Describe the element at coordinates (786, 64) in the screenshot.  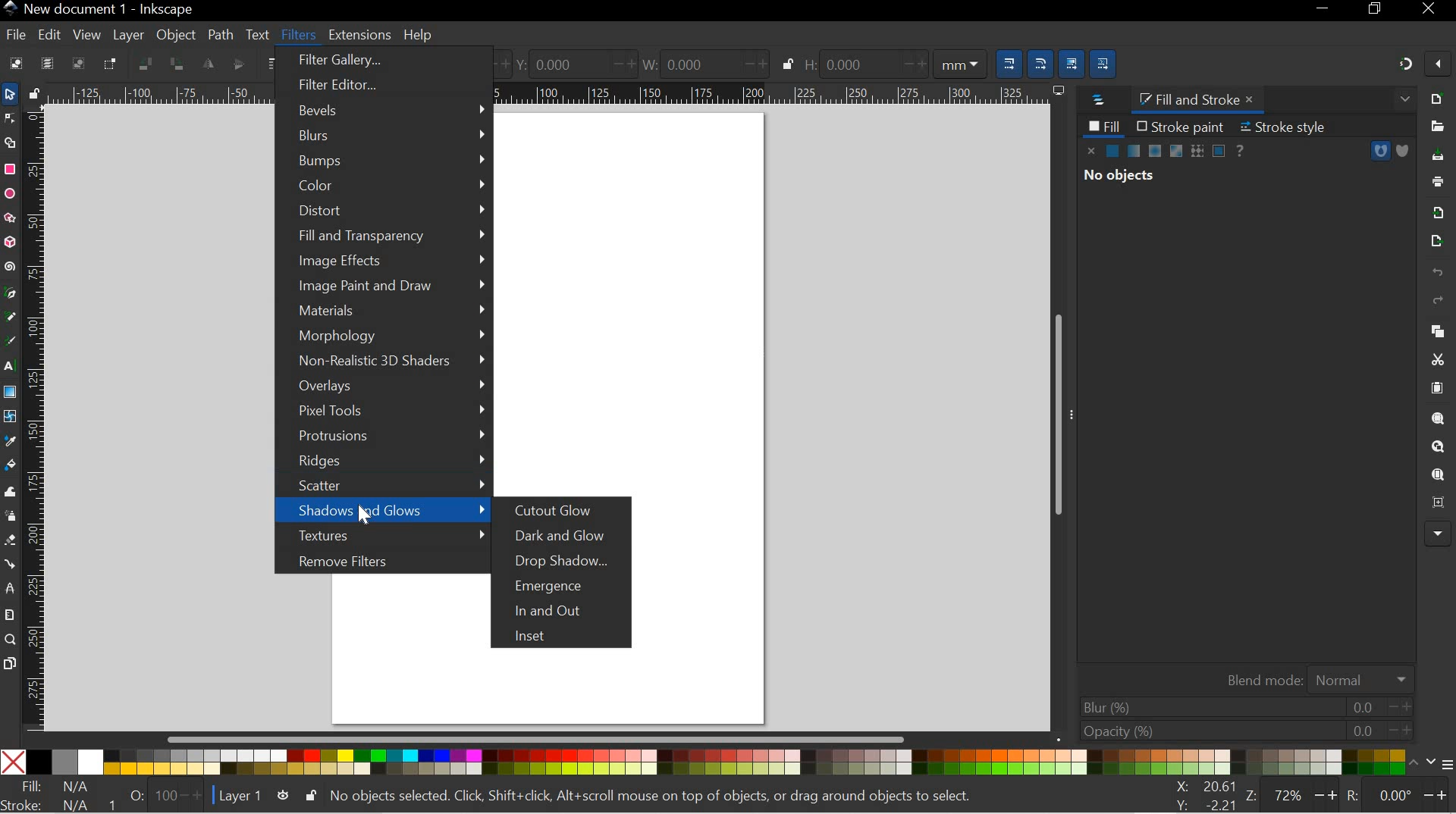
I see `LOCK OBJECT` at that location.